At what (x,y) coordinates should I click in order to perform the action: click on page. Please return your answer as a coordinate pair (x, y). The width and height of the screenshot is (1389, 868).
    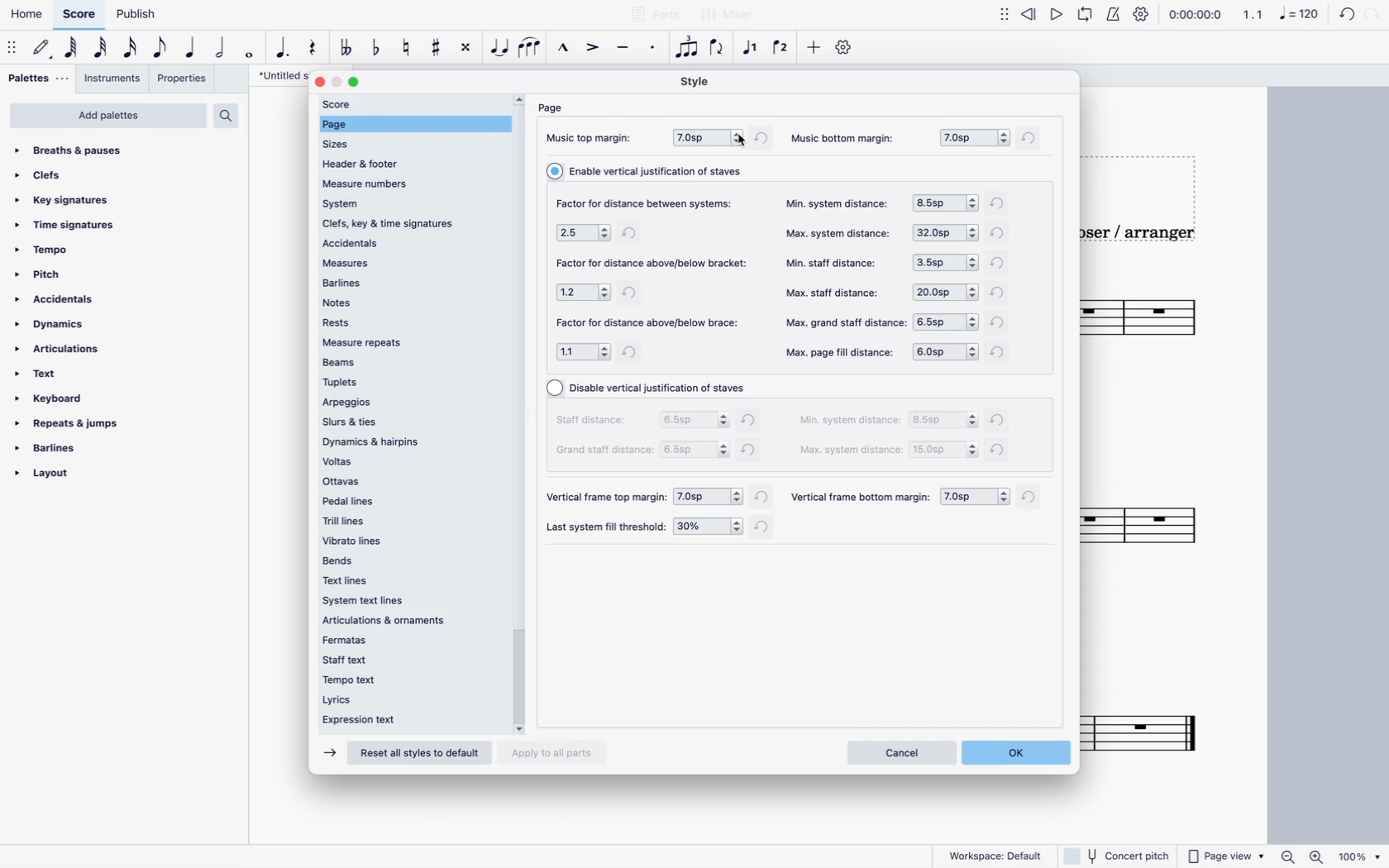
    Looking at the image, I should click on (551, 108).